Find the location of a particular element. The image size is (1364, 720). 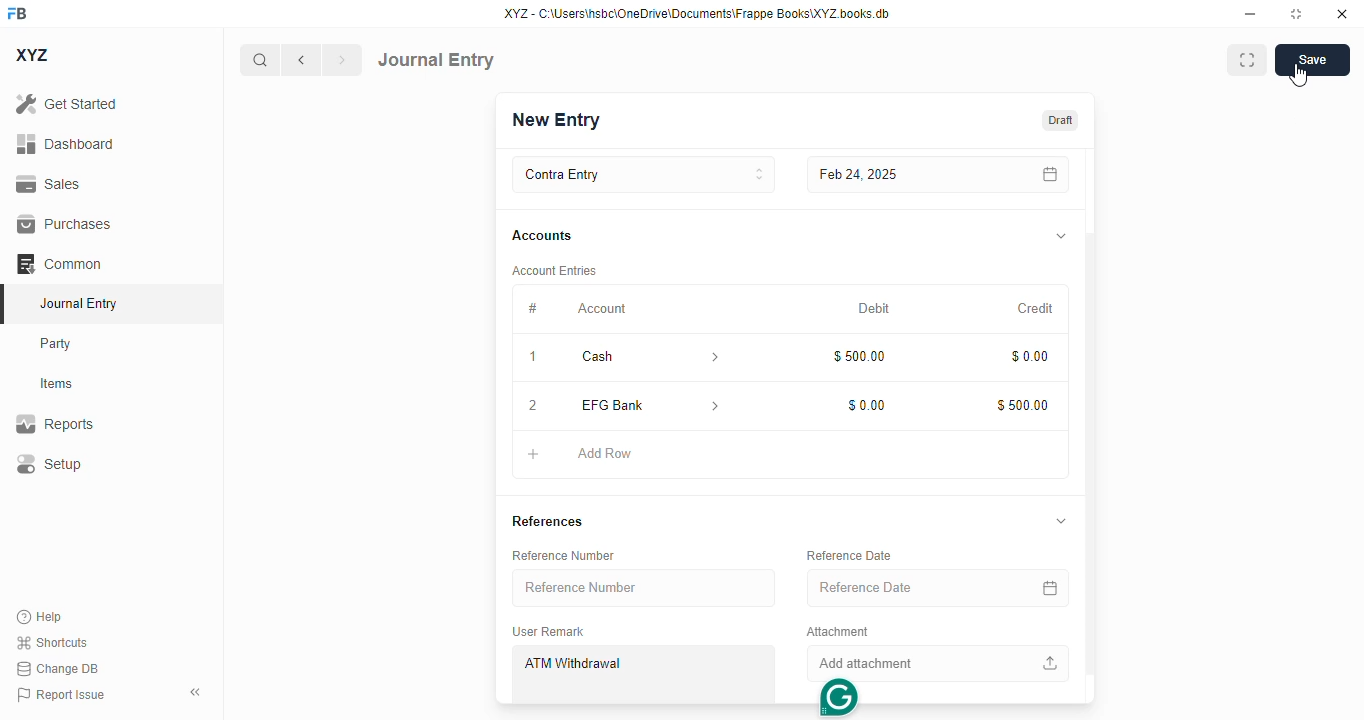

toggle sidebar is located at coordinates (197, 692).